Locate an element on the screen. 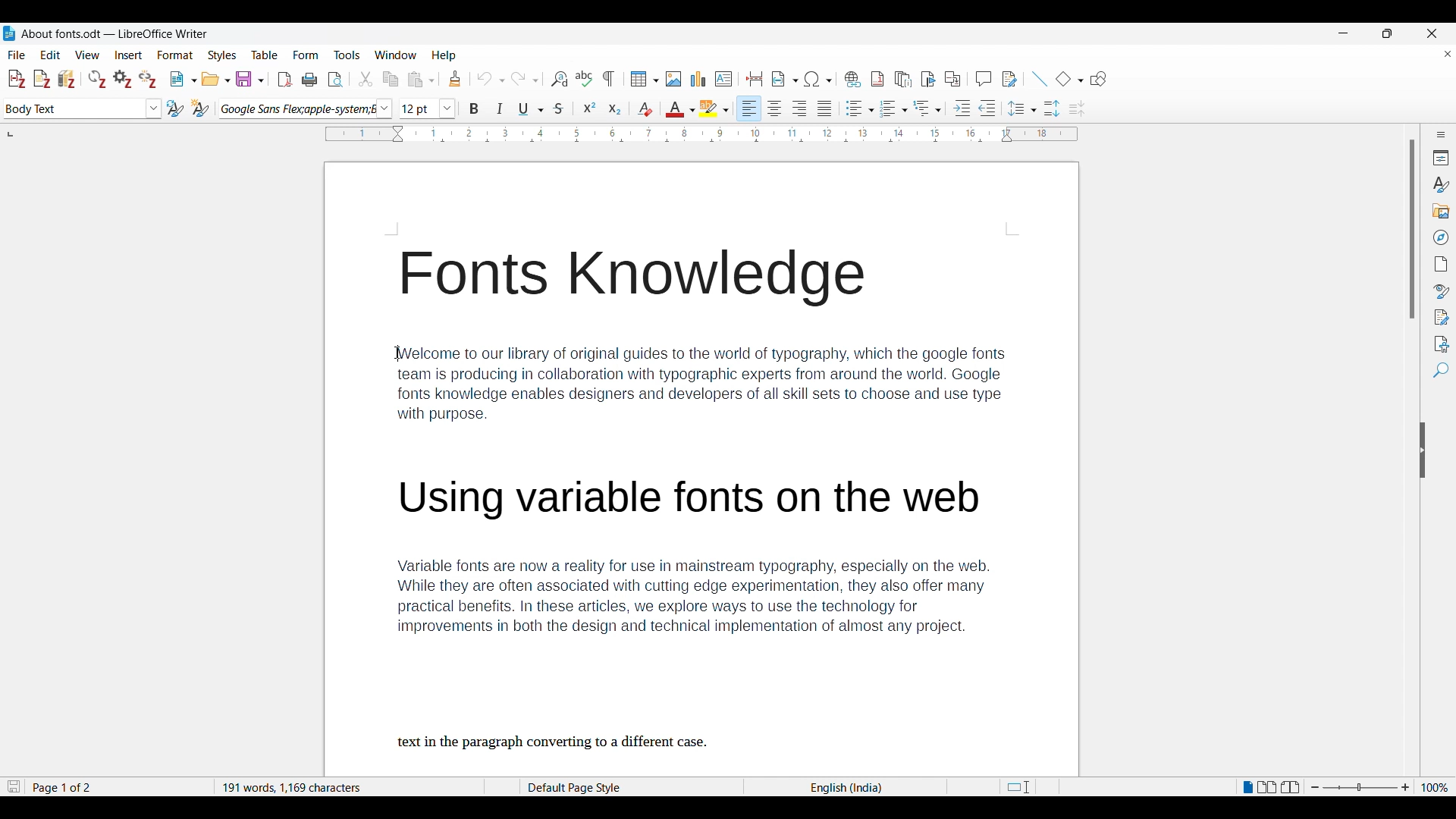 Image resolution: width=1456 pixels, height=819 pixels. Manage changes is located at coordinates (1442, 318).